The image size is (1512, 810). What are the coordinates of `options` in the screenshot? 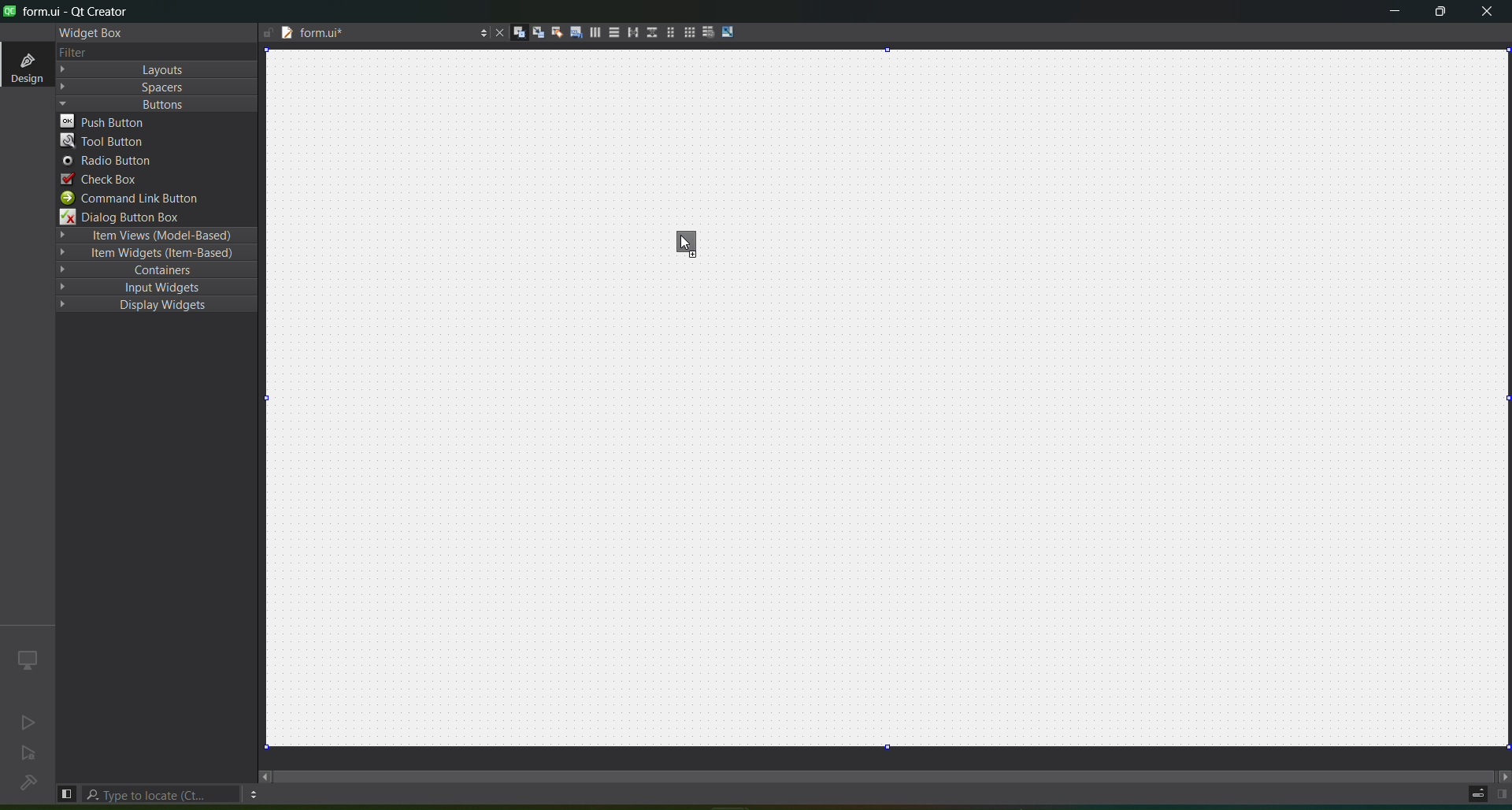 It's located at (255, 794).